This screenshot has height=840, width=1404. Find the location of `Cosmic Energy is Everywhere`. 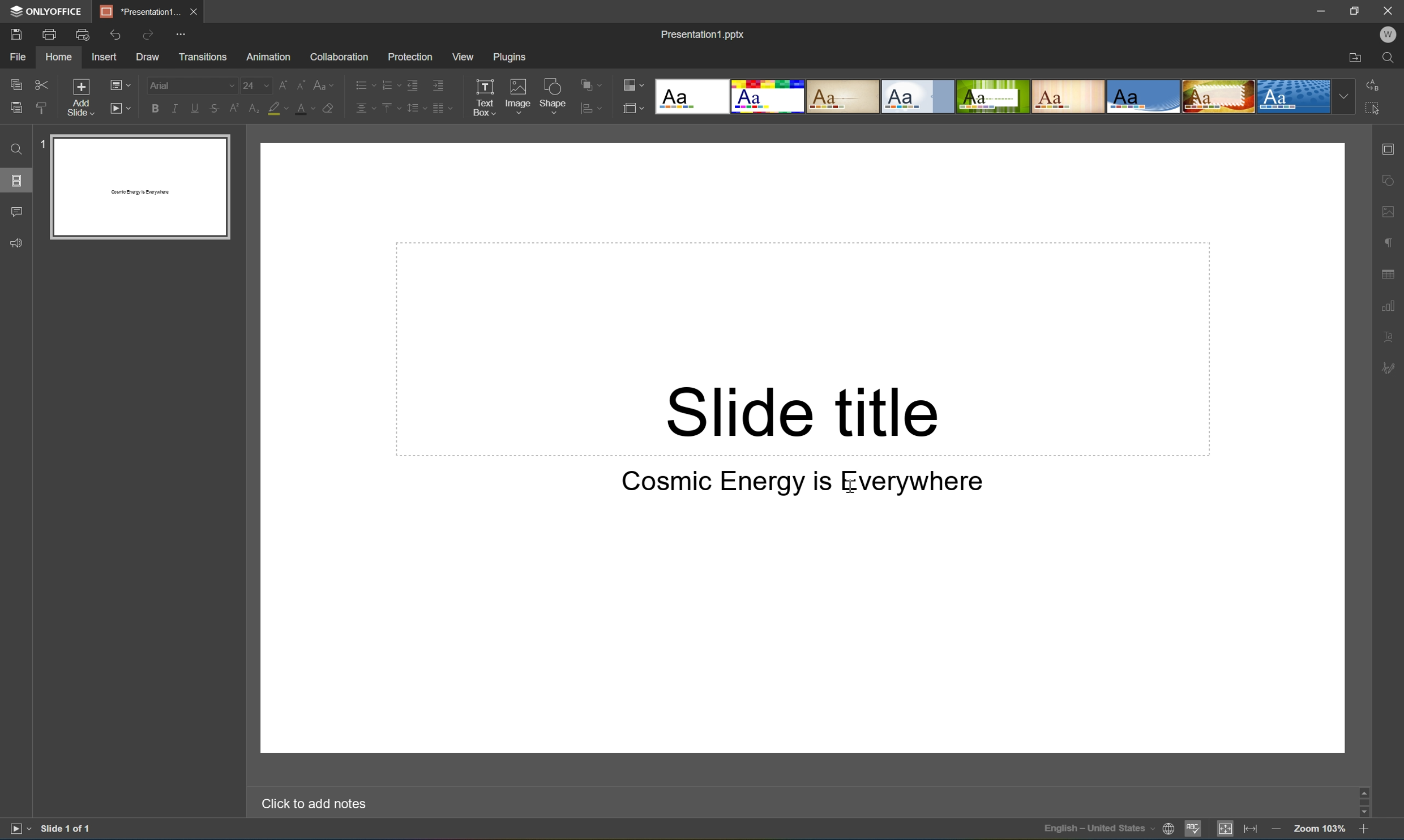

Cosmic Energy is Everywhere is located at coordinates (802, 482).